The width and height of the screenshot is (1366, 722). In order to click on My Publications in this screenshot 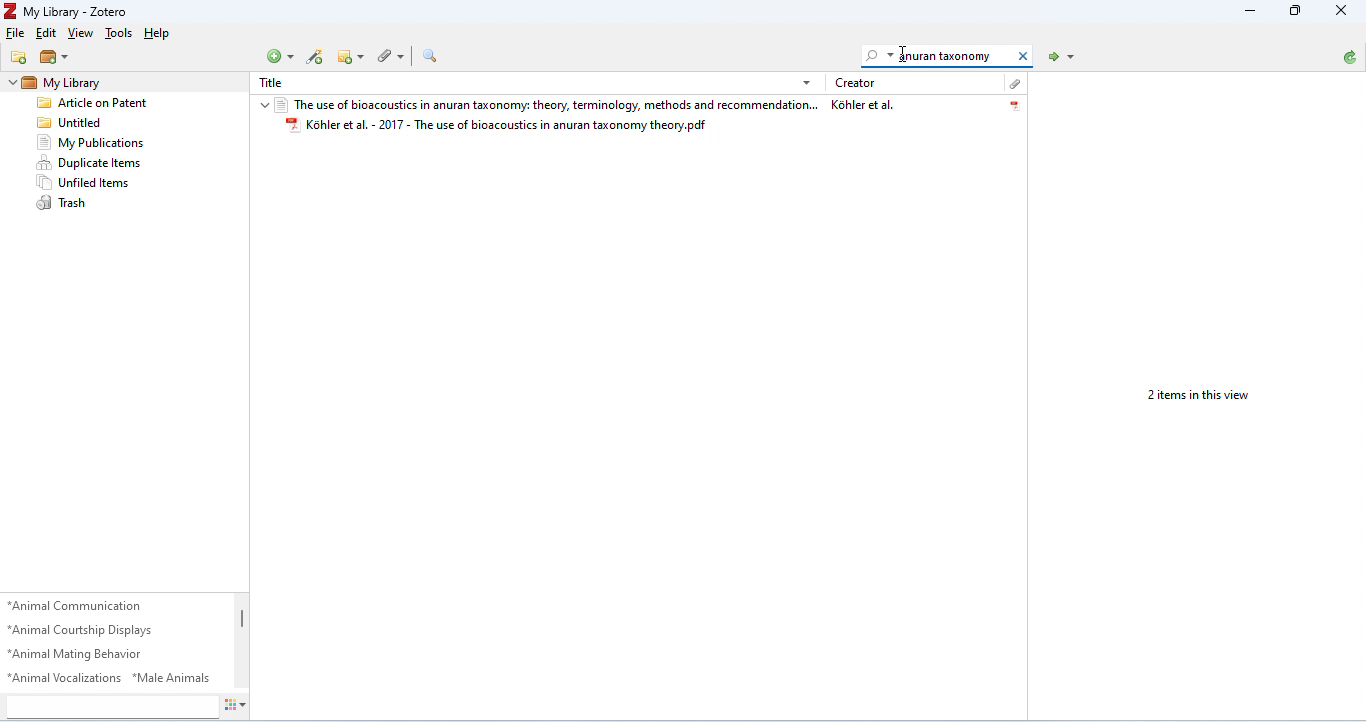, I will do `click(106, 143)`.